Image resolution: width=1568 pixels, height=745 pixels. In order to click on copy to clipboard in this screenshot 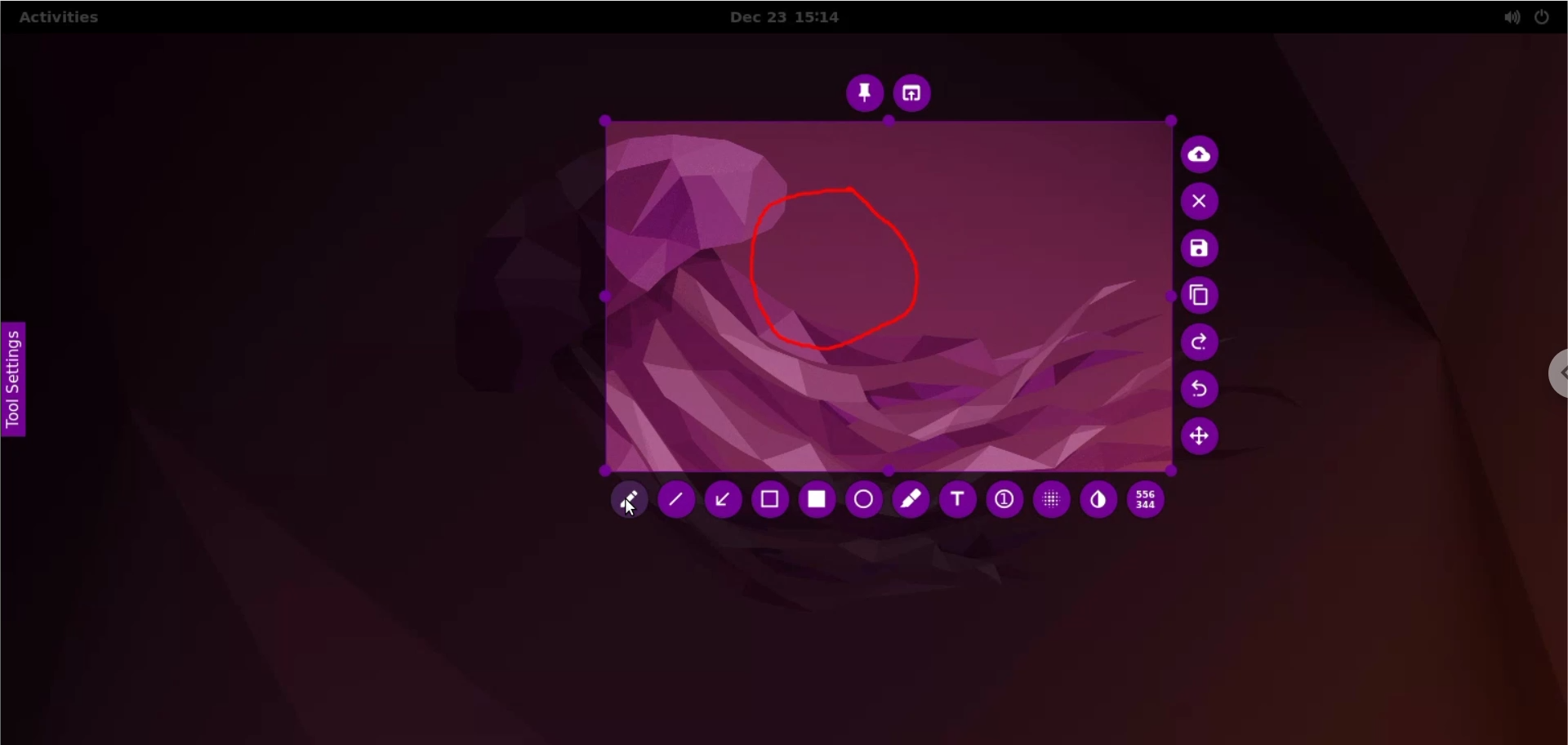, I will do `click(1207, 297)`.